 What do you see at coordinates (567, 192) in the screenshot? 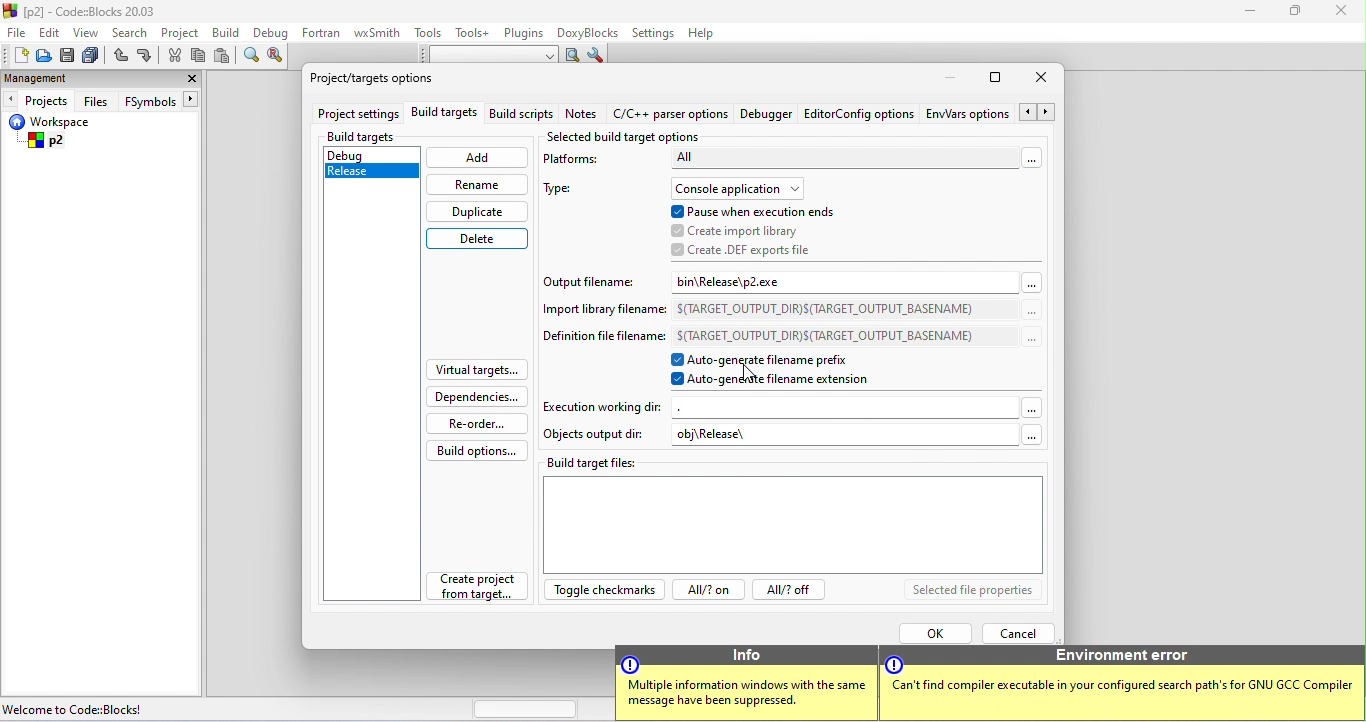
I see `type` at bounding box center [567, 192].